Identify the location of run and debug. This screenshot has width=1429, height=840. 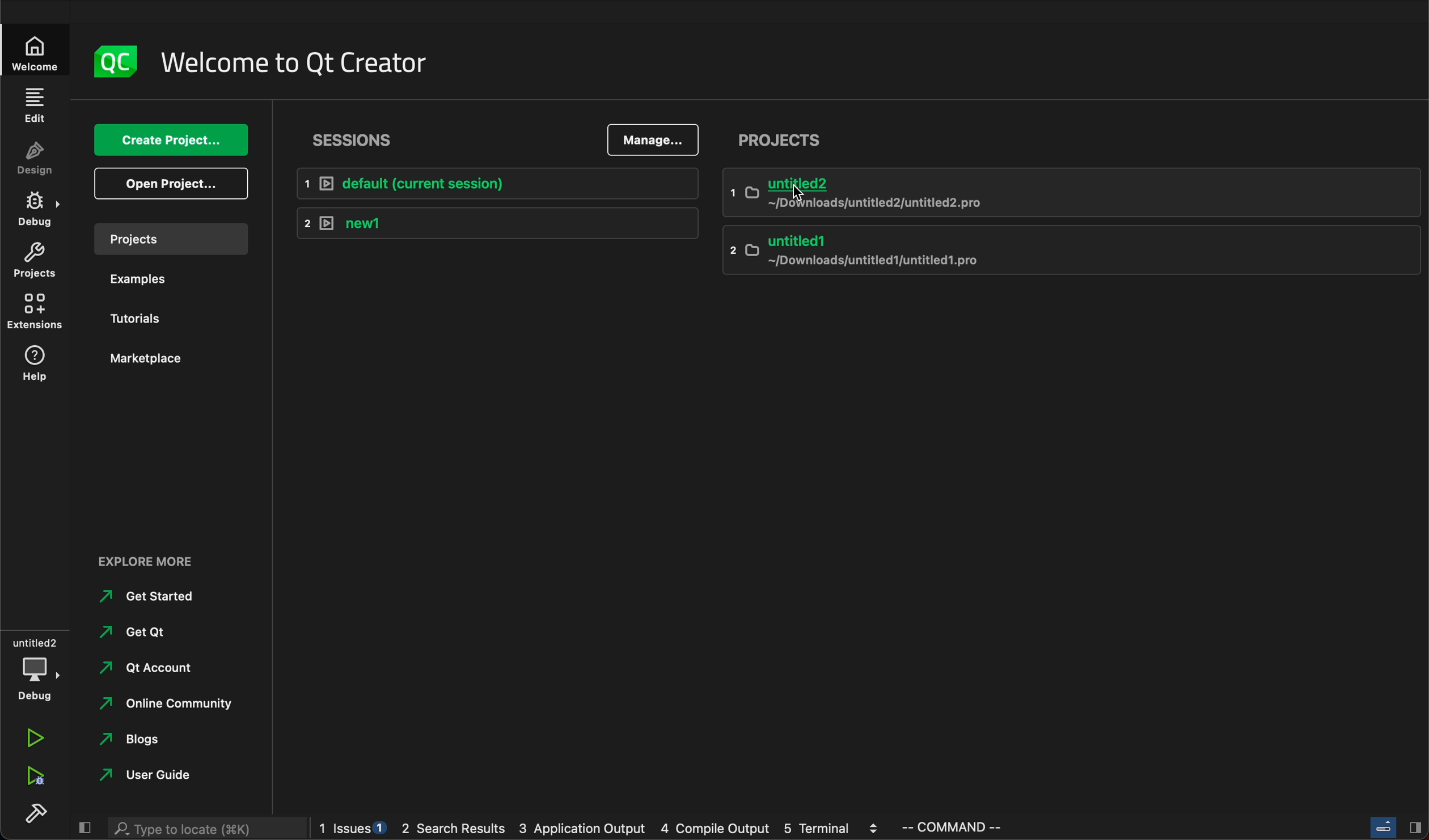
(33, 778).